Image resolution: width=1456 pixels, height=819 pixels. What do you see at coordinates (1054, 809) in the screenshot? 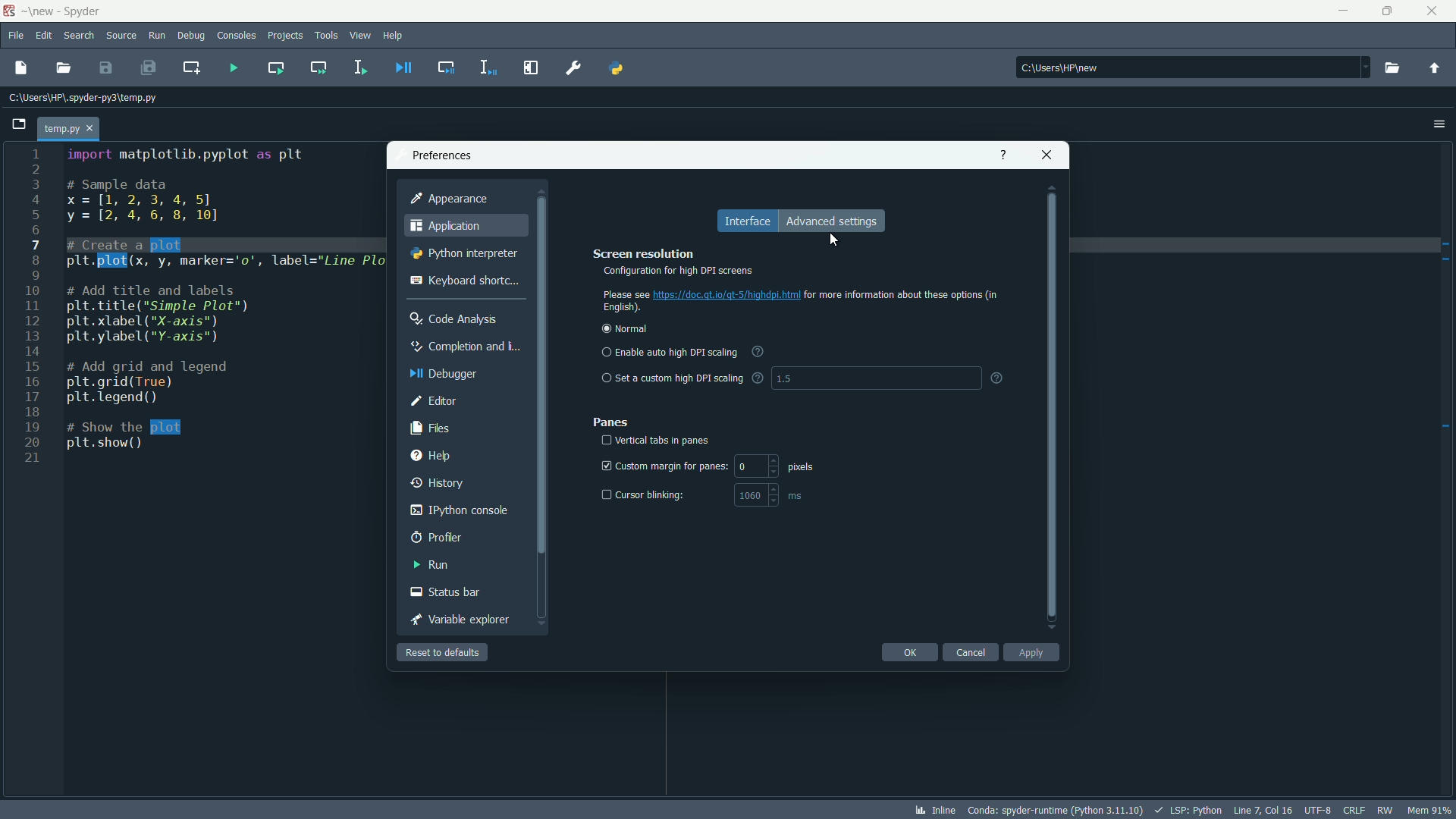
I see `interpreter` at bounding box center [1054, 809].